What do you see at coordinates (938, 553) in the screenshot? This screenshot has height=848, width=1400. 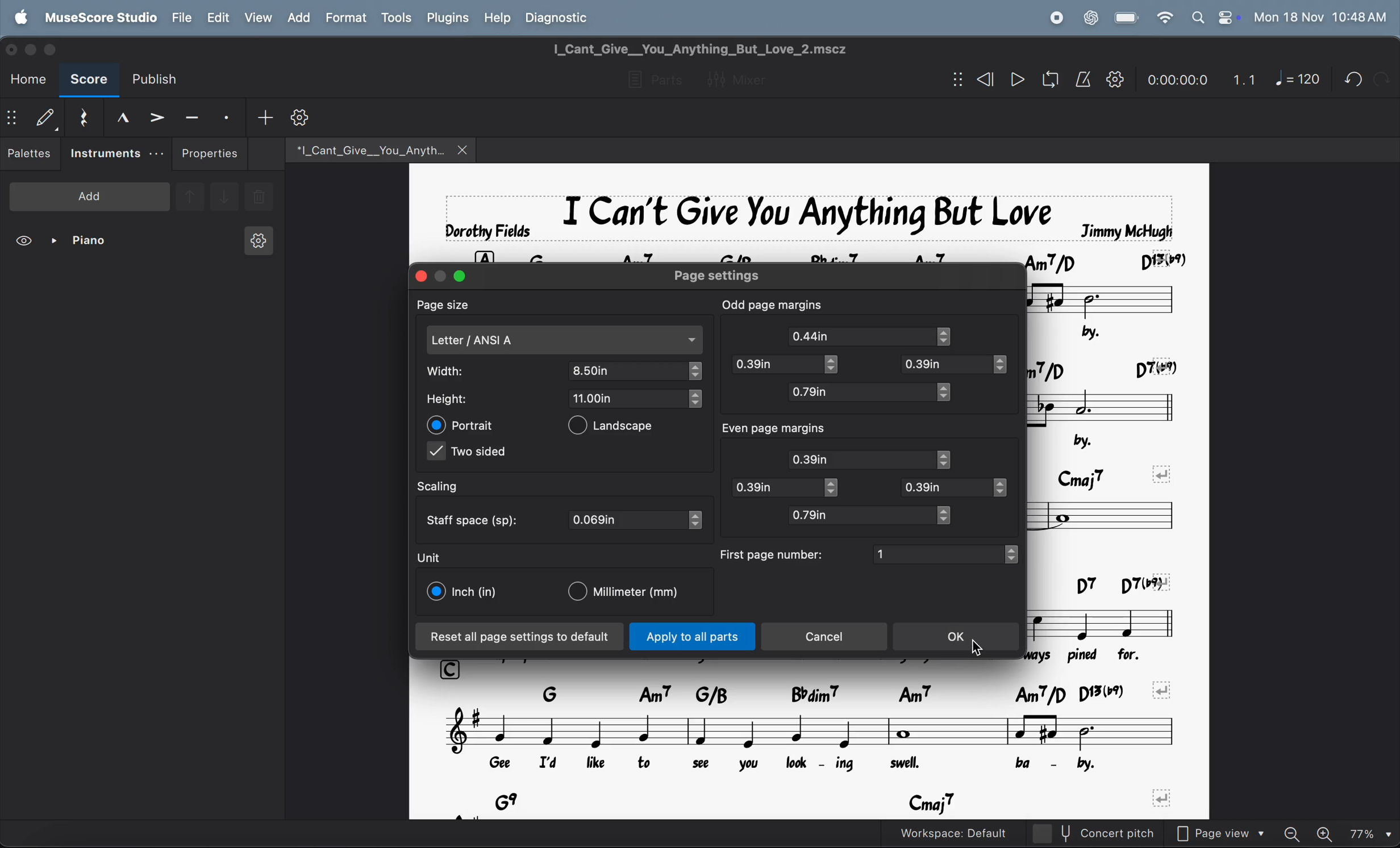 I see `1` at bounding box center [938, 553].